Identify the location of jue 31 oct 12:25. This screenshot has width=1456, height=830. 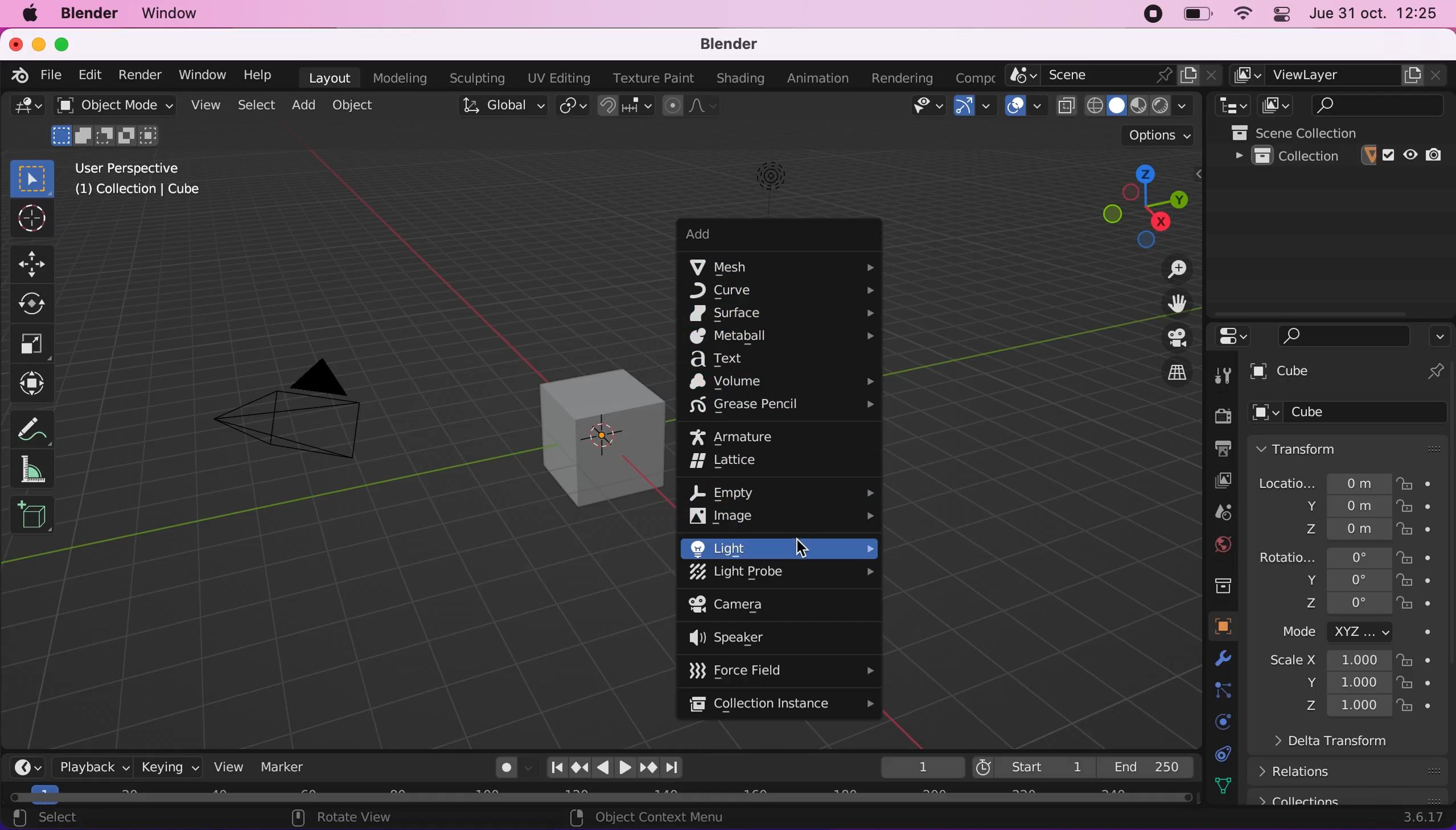
(1376, 14).